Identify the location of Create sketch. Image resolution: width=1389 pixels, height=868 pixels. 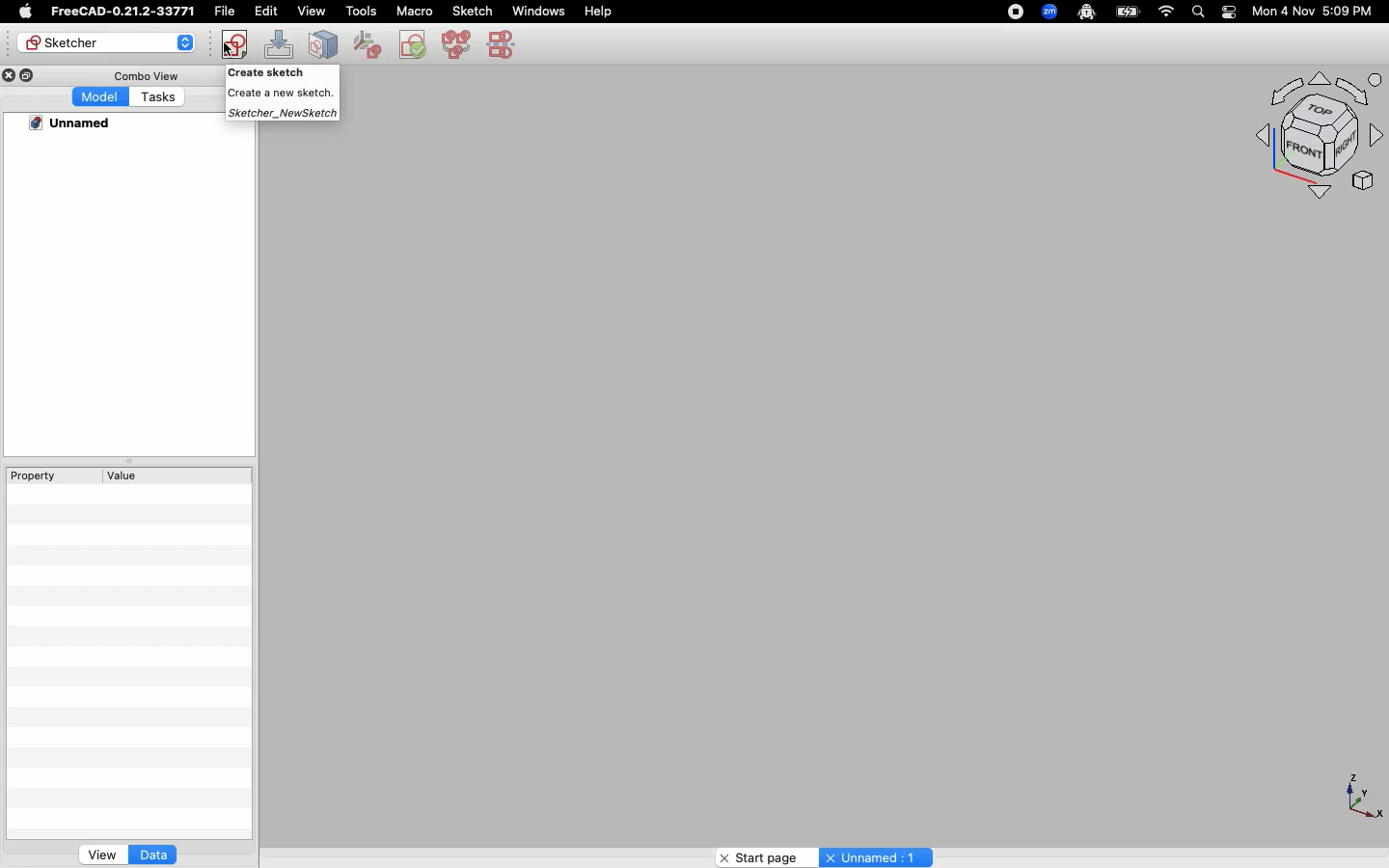
(234, 42).